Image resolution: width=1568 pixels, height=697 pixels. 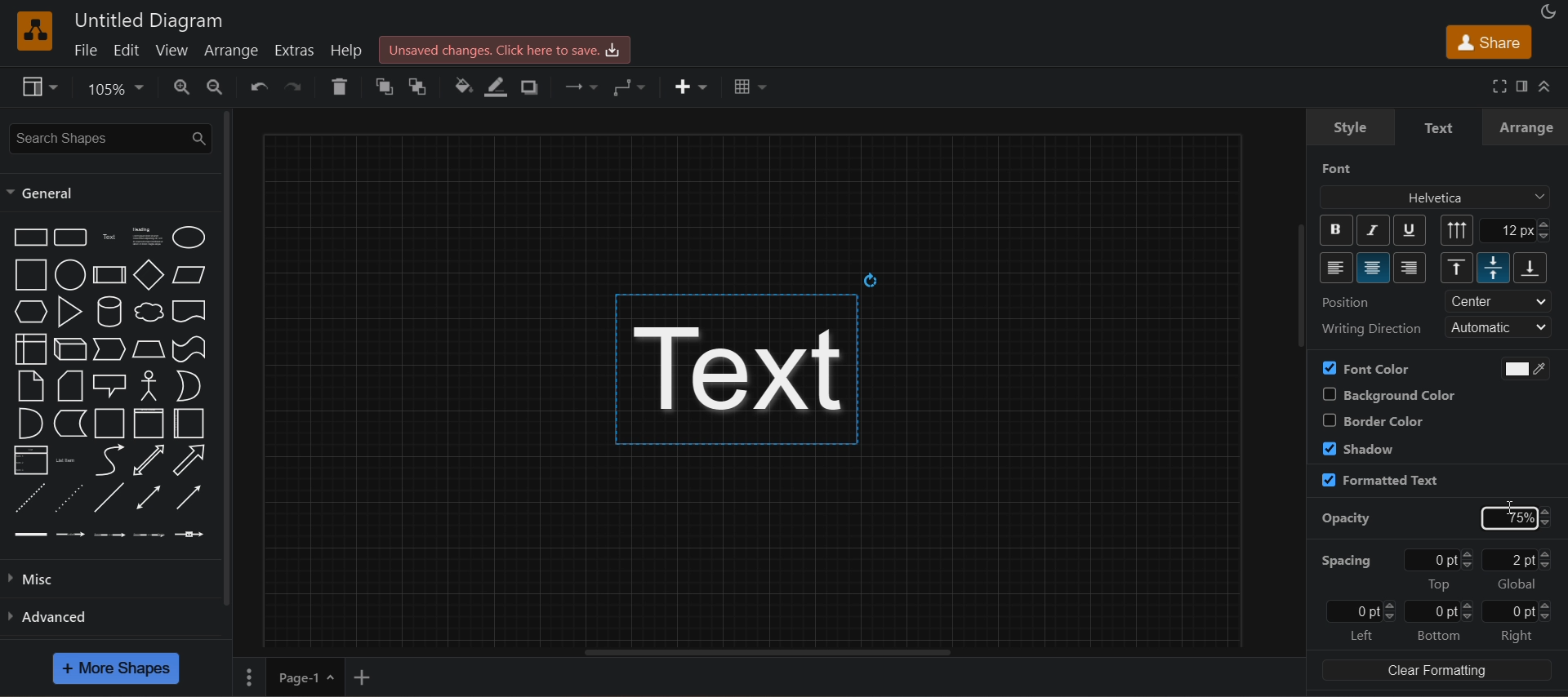 What do you see at coordinates (1350, 127) in the screenshot?
I see `style` at bounding box center [1350, 127].